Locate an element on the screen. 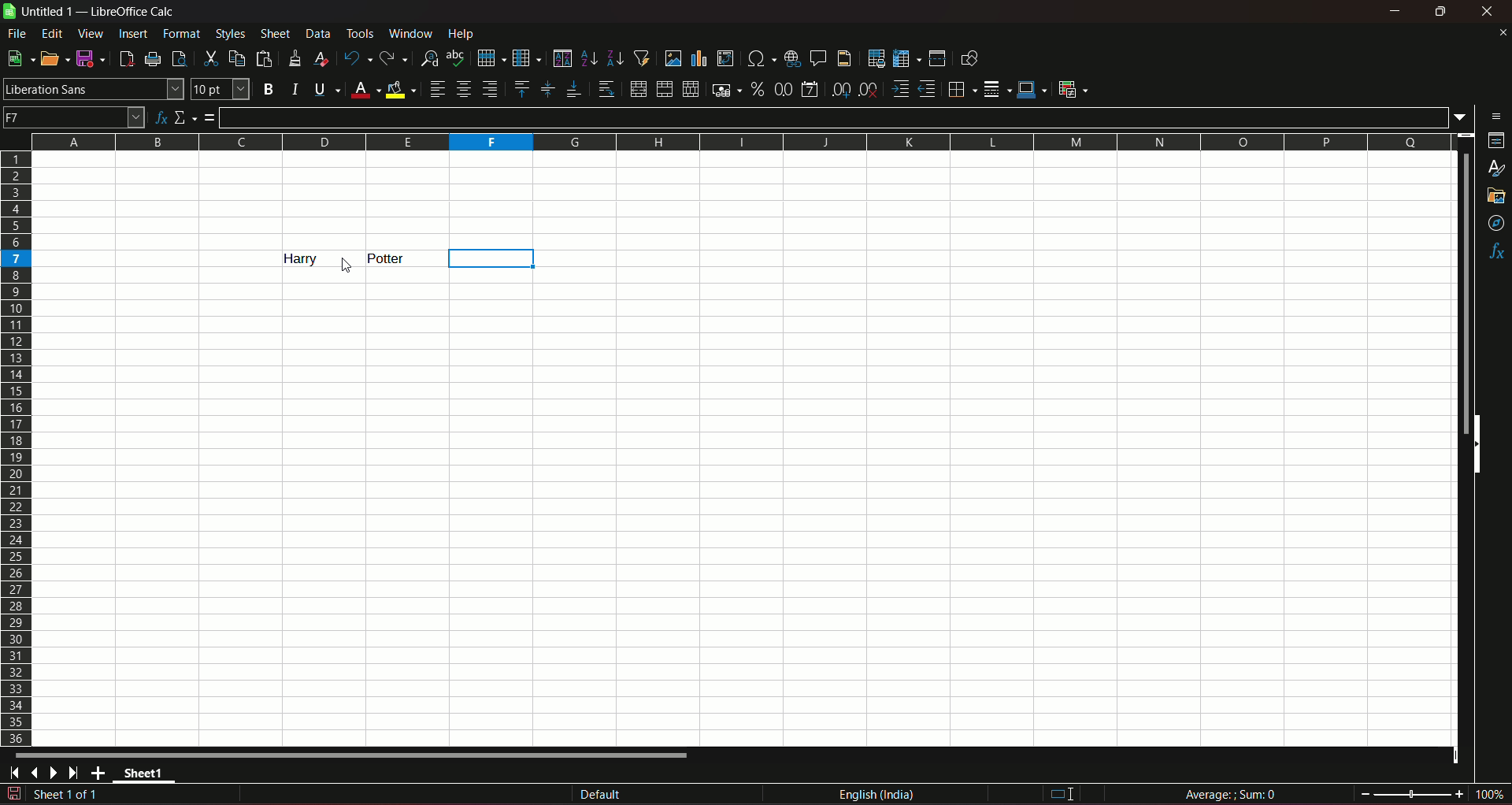 The width and height of the screenshot is (1512, 805). increase indent is located at coordinates (899, 89).